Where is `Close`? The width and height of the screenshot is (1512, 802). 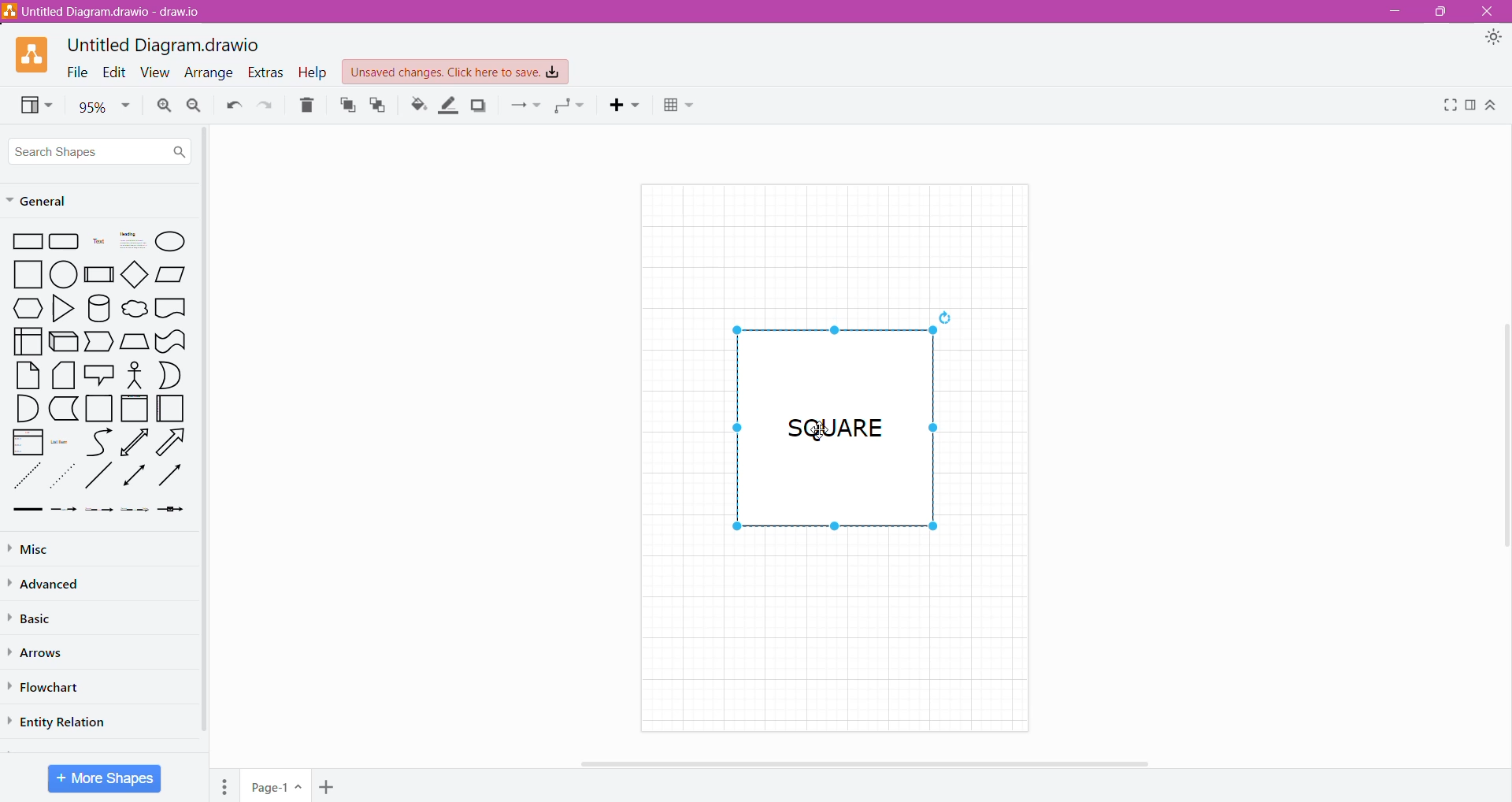 Close is located at coordinates (1490, 12).